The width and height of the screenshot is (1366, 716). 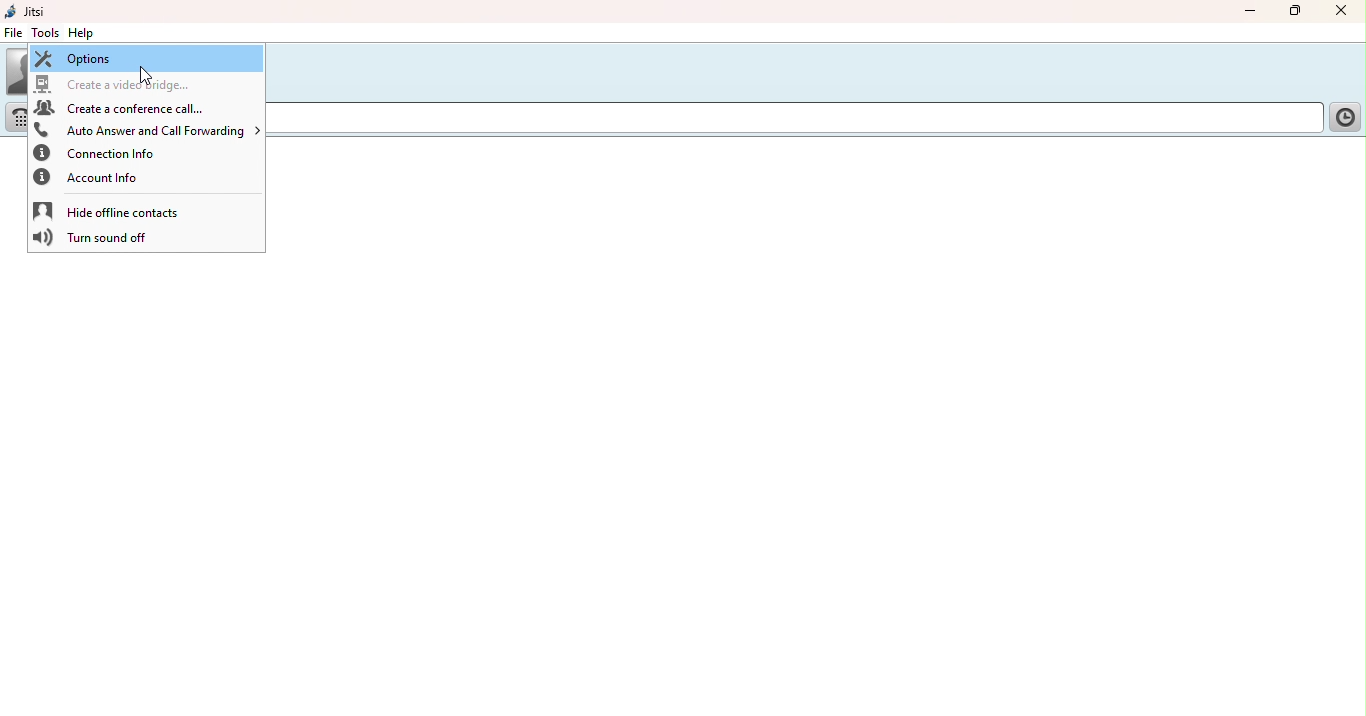 I want to click on Click here toshow call history, so click(x=1343, y=118).